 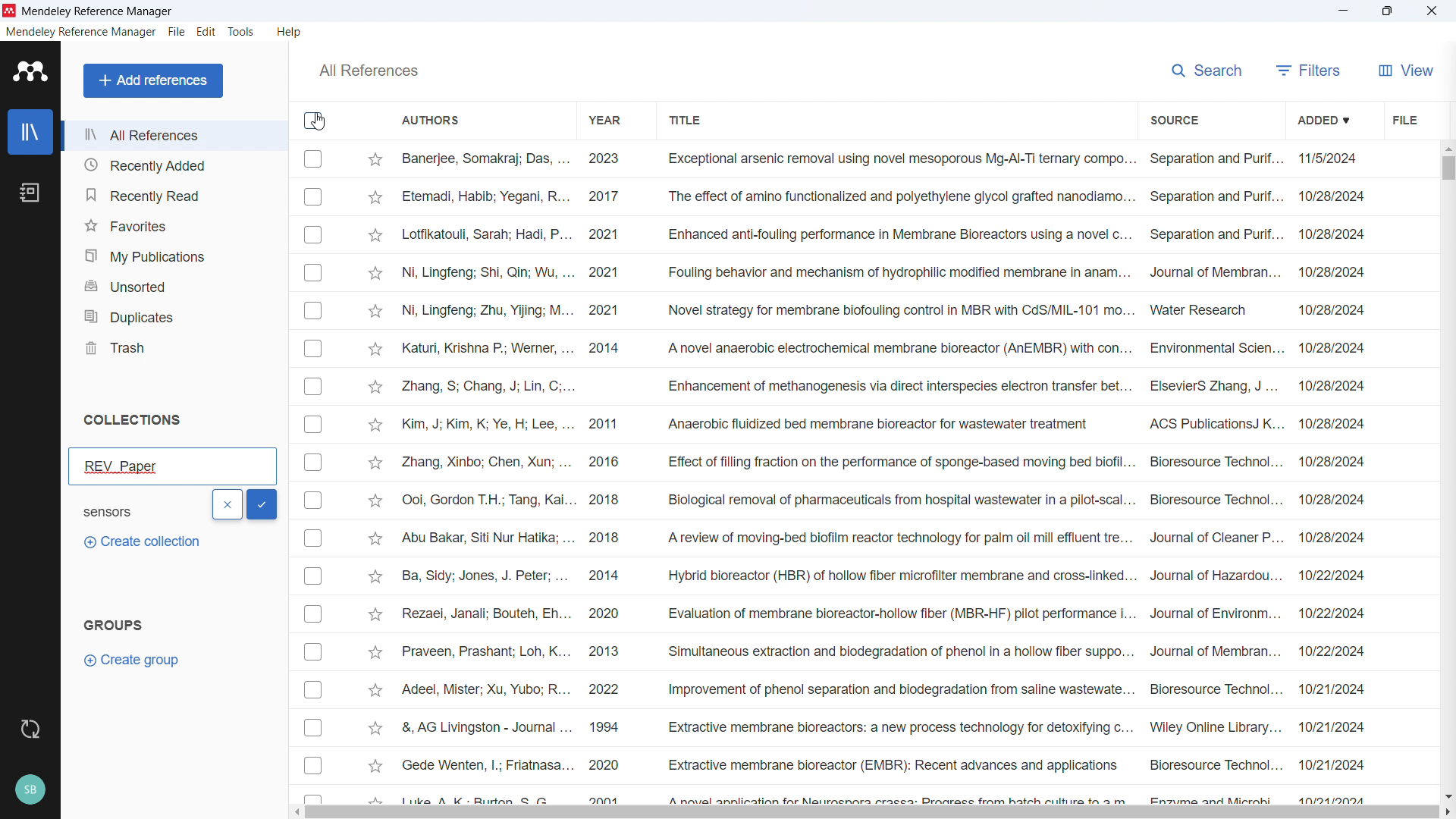 What do you see at coordinates (122, 510) in the screenshot?
I see `sensors` at bounding box center [122, 510].